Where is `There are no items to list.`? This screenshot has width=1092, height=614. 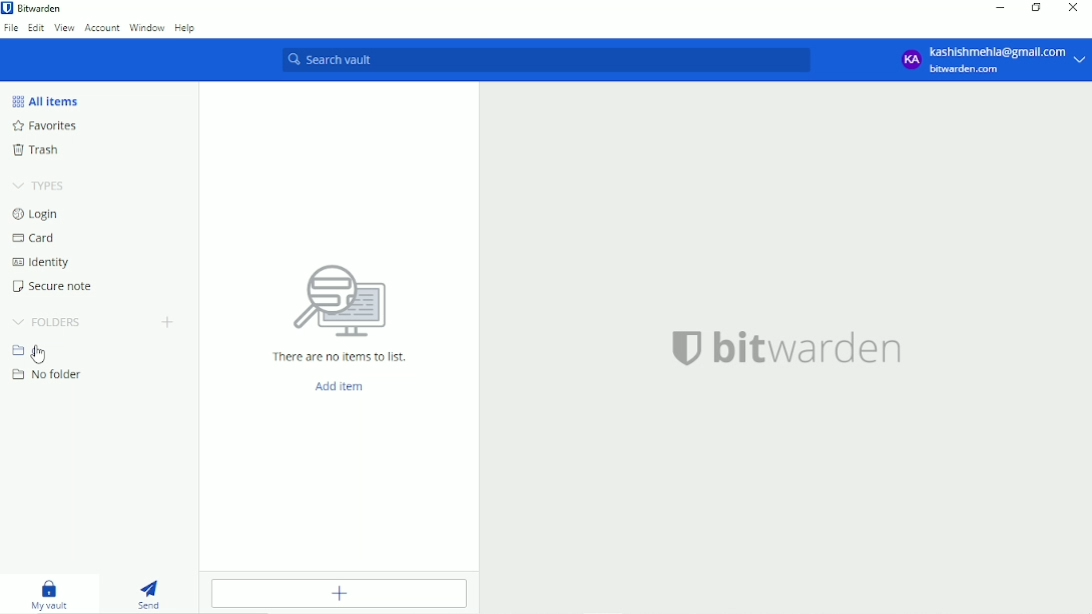
There are no items to list. is located at coordinates (340, 357).